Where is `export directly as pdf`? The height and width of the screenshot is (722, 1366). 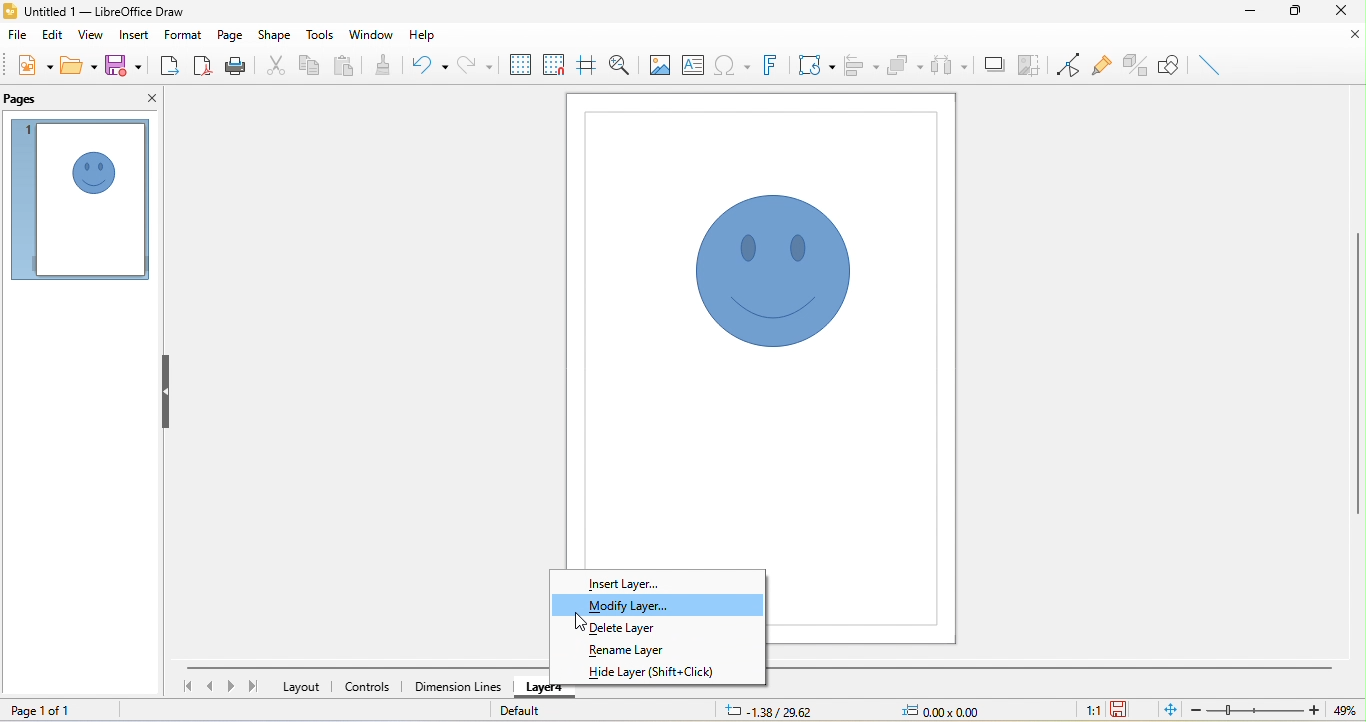 export directly as pdf is located at coordinates (204, 64).